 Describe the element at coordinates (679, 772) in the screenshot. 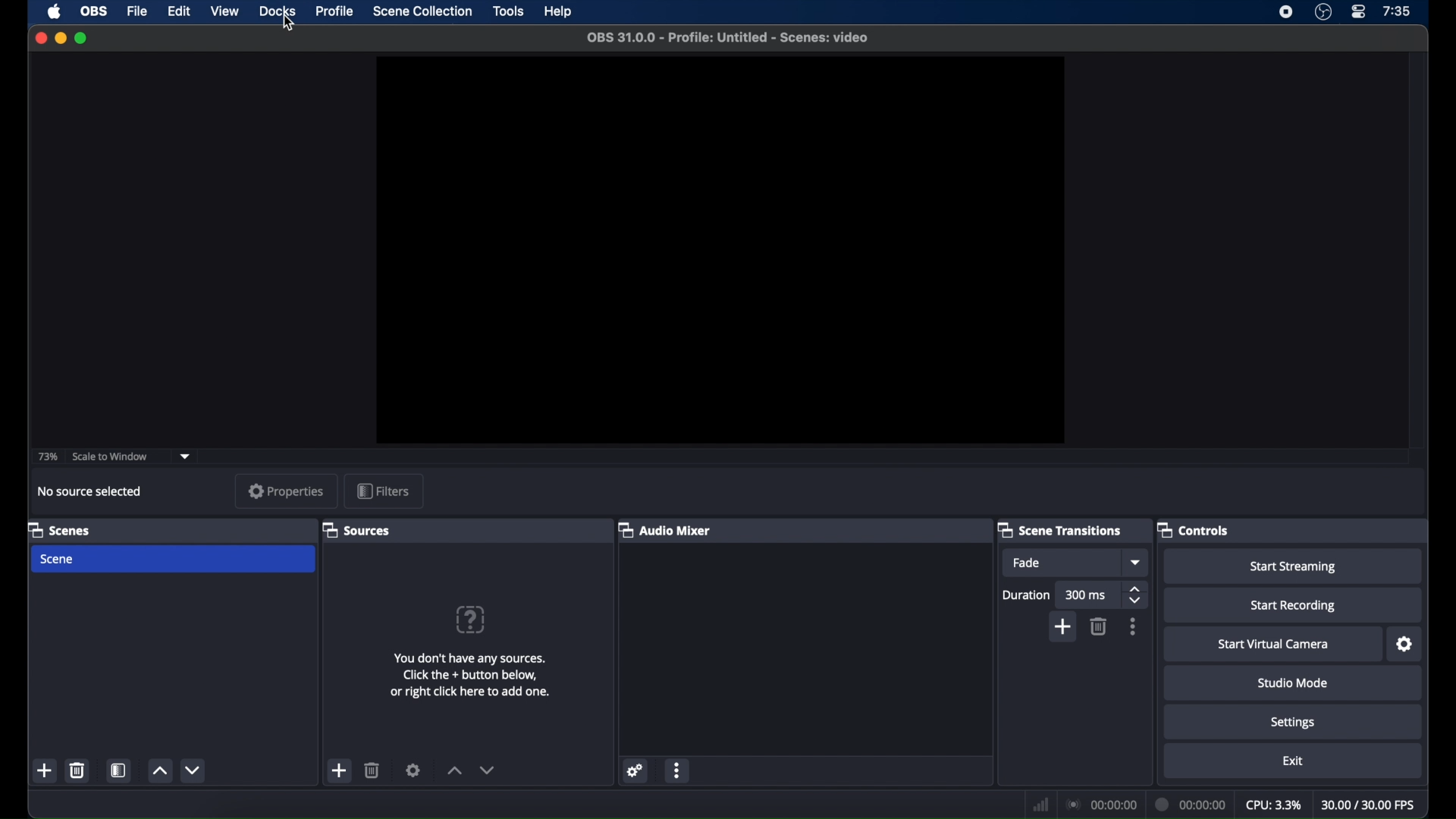

I see `more options` at that location.